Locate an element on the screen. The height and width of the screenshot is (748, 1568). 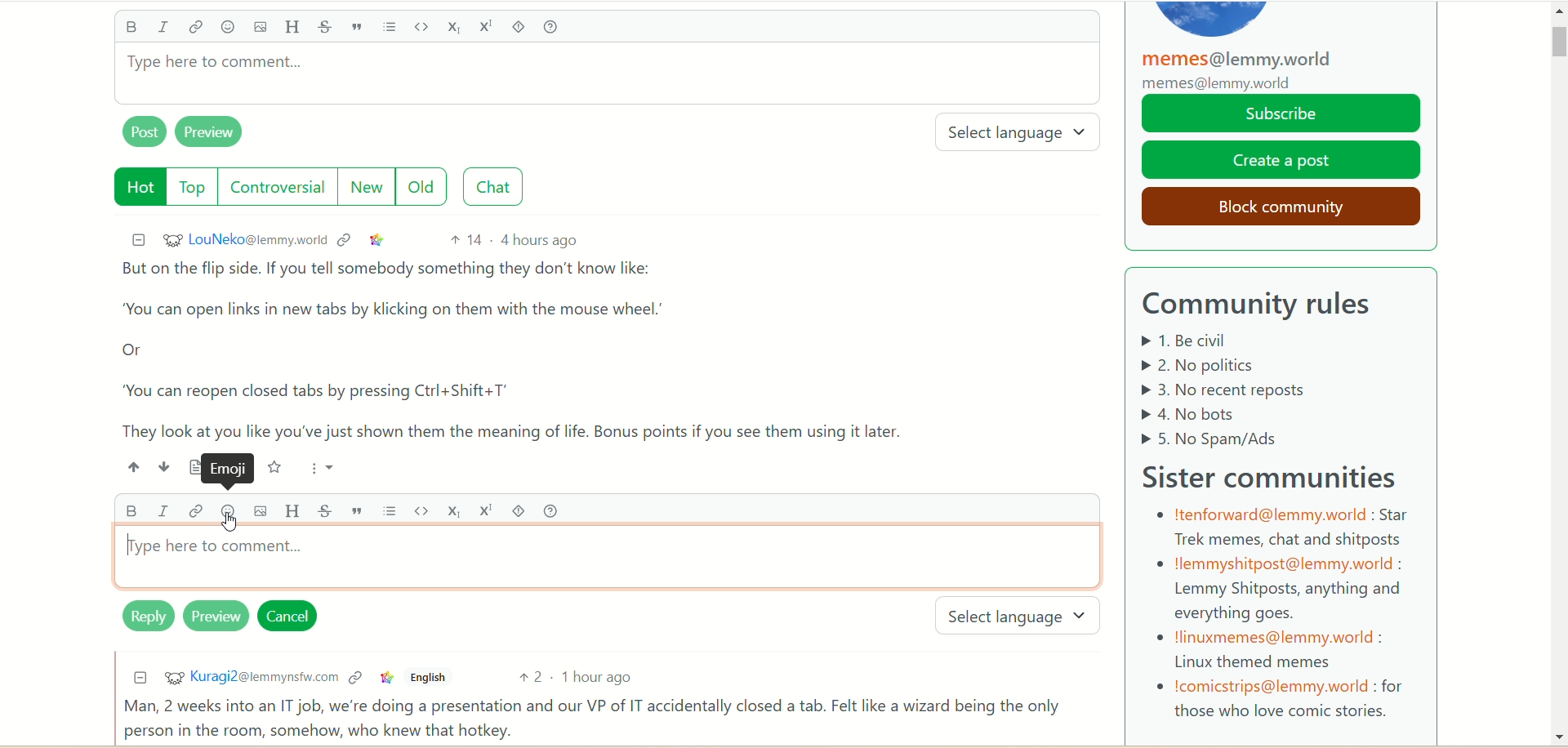
bold is located at coordinates (130, 29).